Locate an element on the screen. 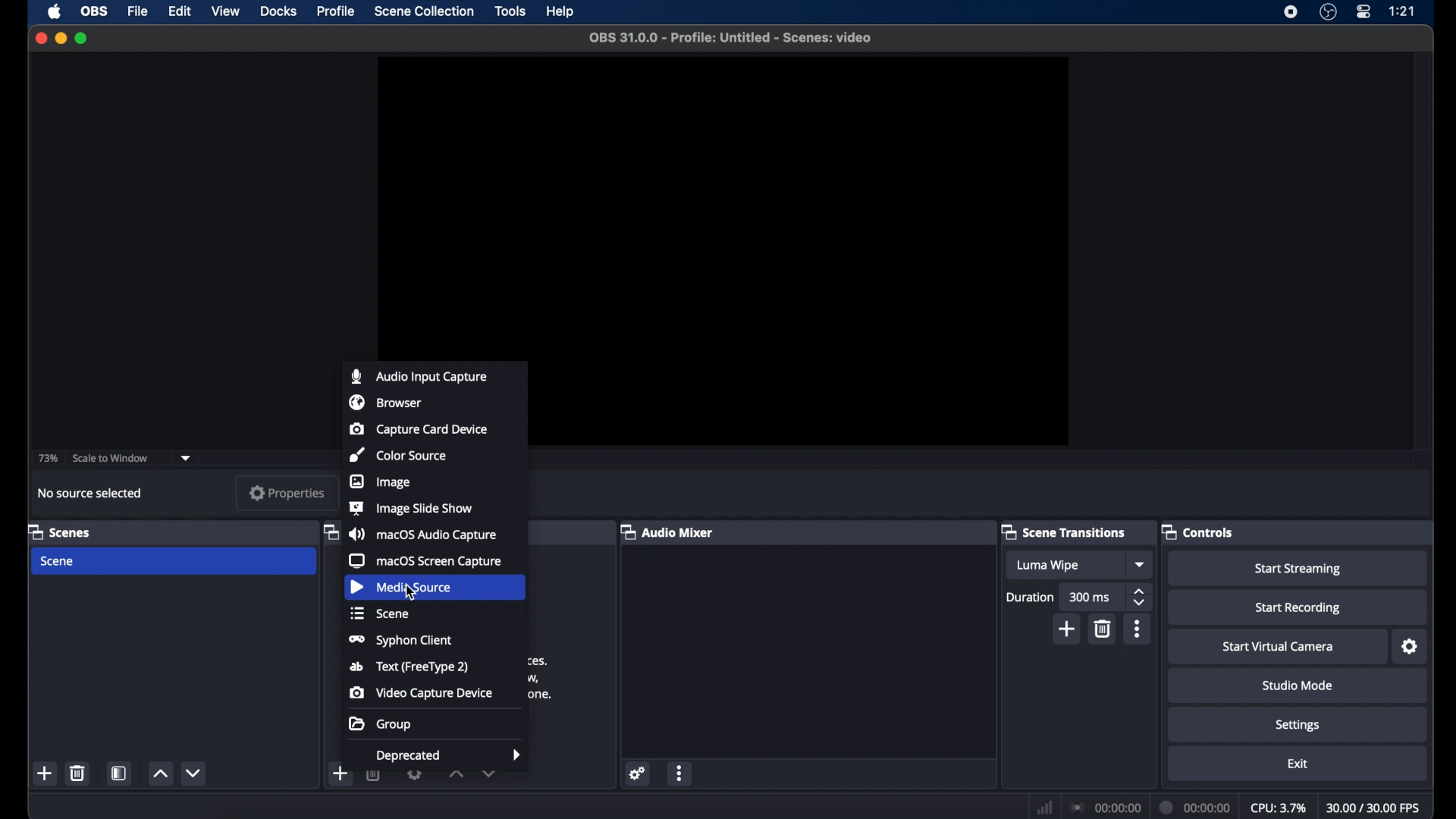 The height and width of the screenshot is (819, 1456). more options is located at coordinates (681, 774).